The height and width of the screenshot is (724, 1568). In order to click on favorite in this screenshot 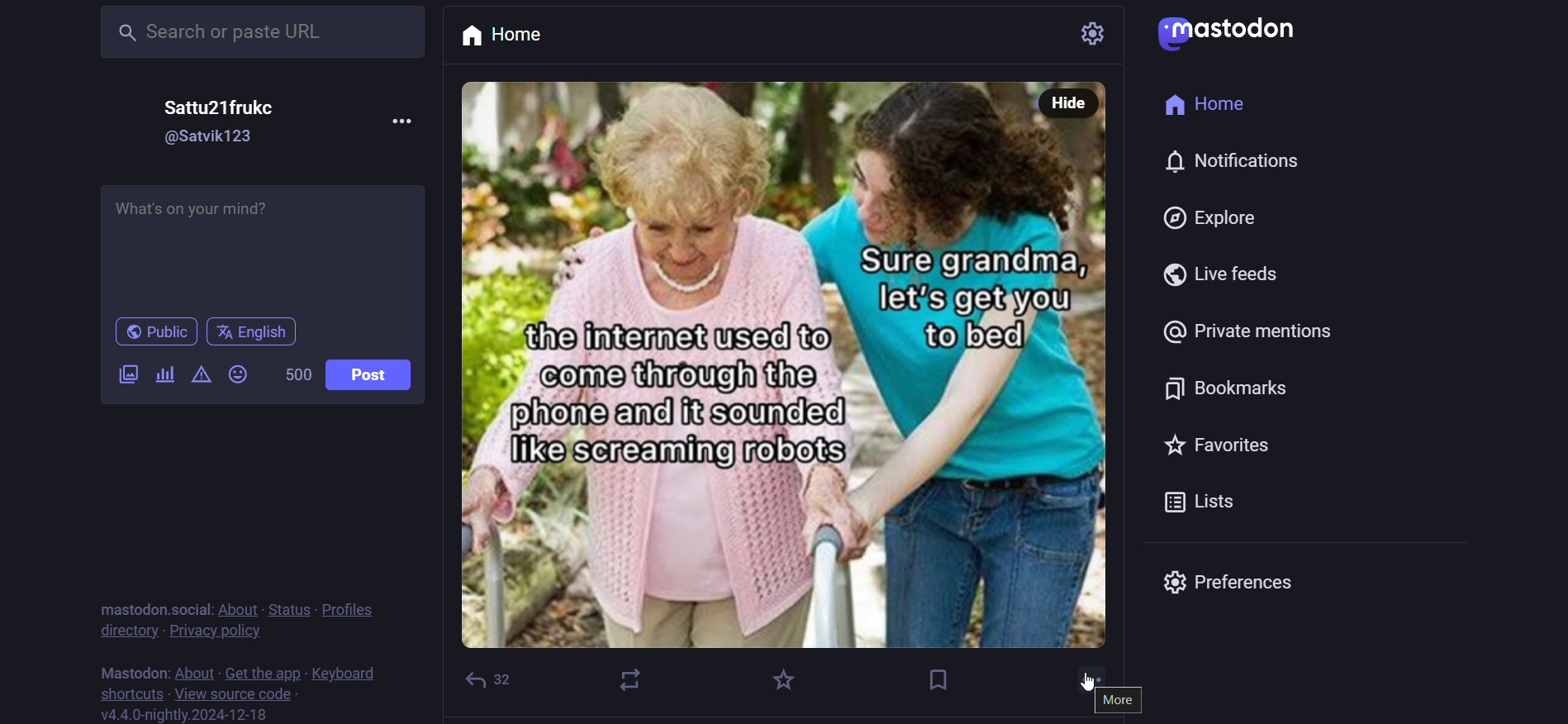, I will do `click(1235, 441)`.